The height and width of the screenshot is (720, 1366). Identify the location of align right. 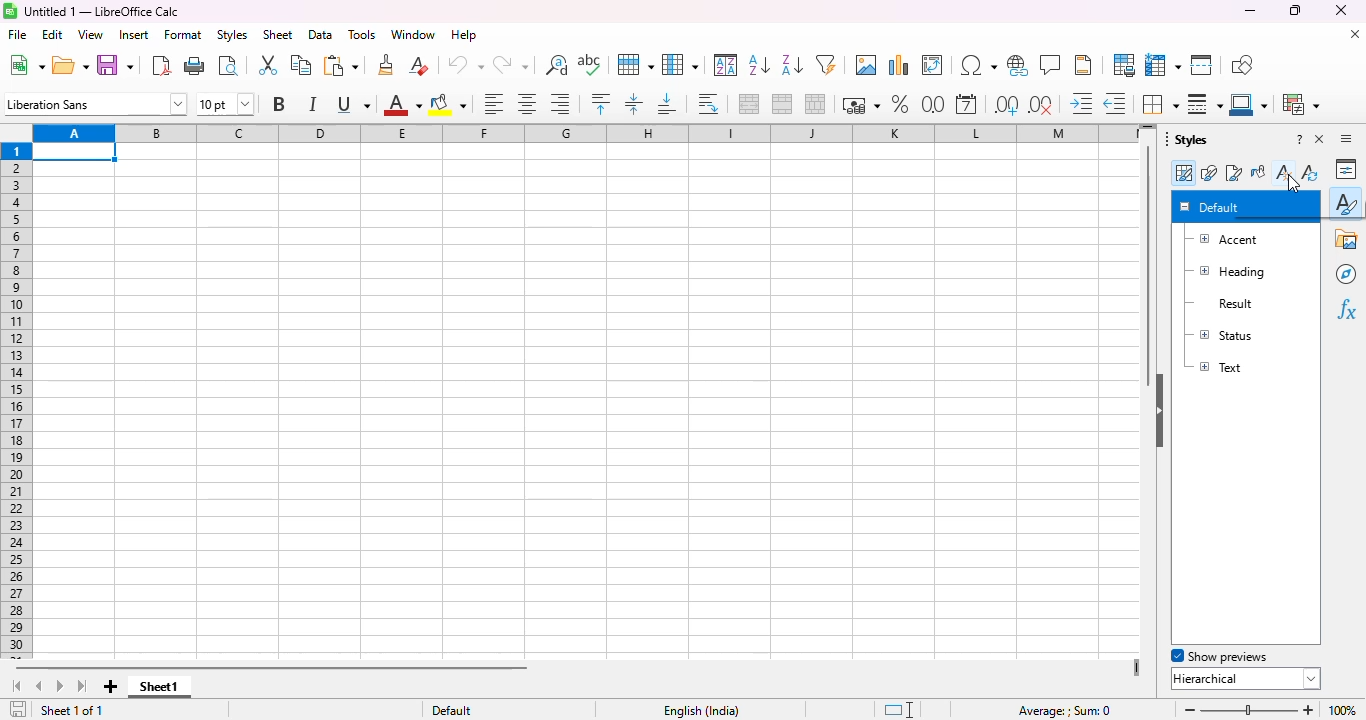
(559, 103).